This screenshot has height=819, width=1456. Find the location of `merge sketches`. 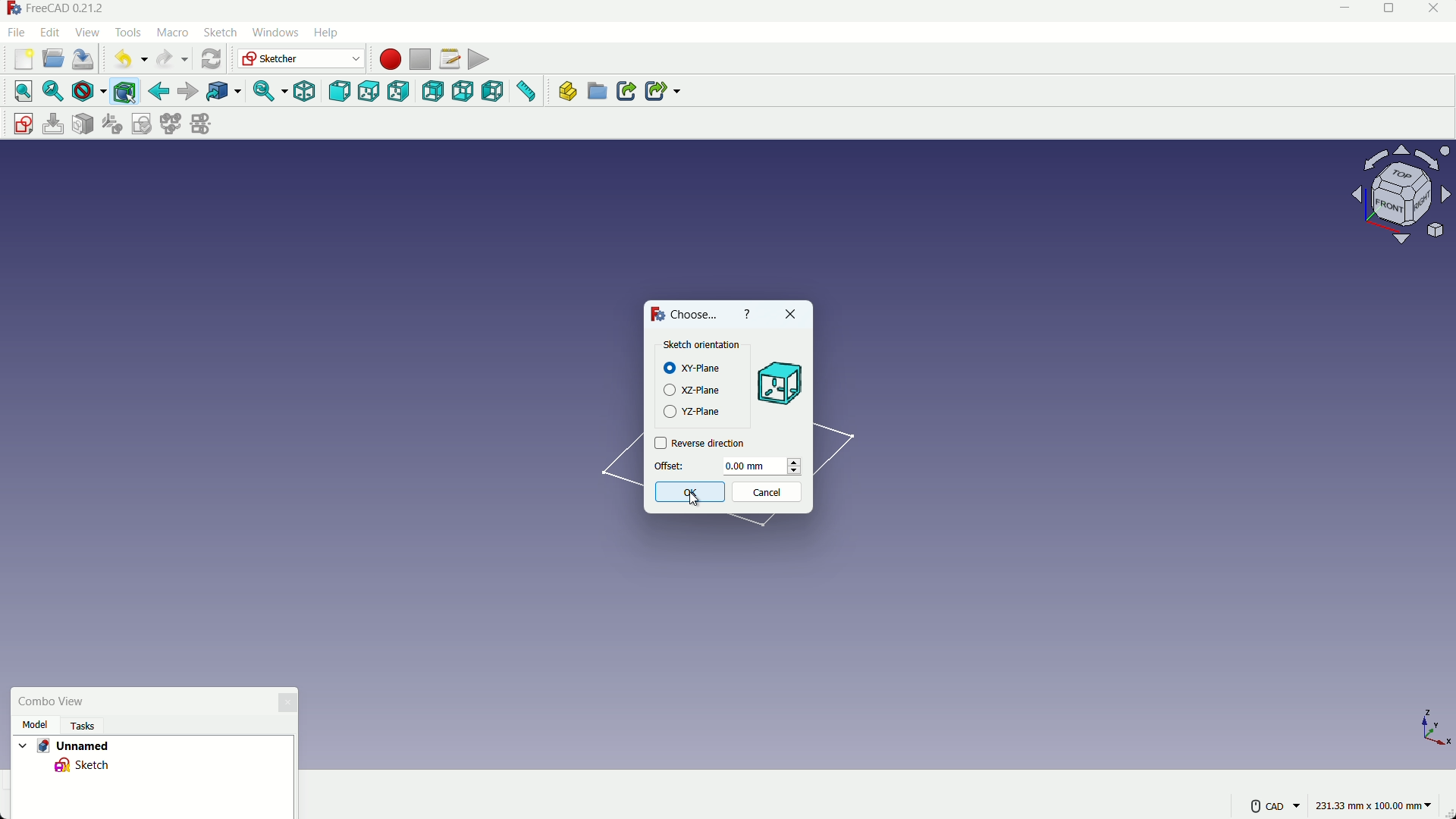

merge sketches is located at coordinates (169, 123).